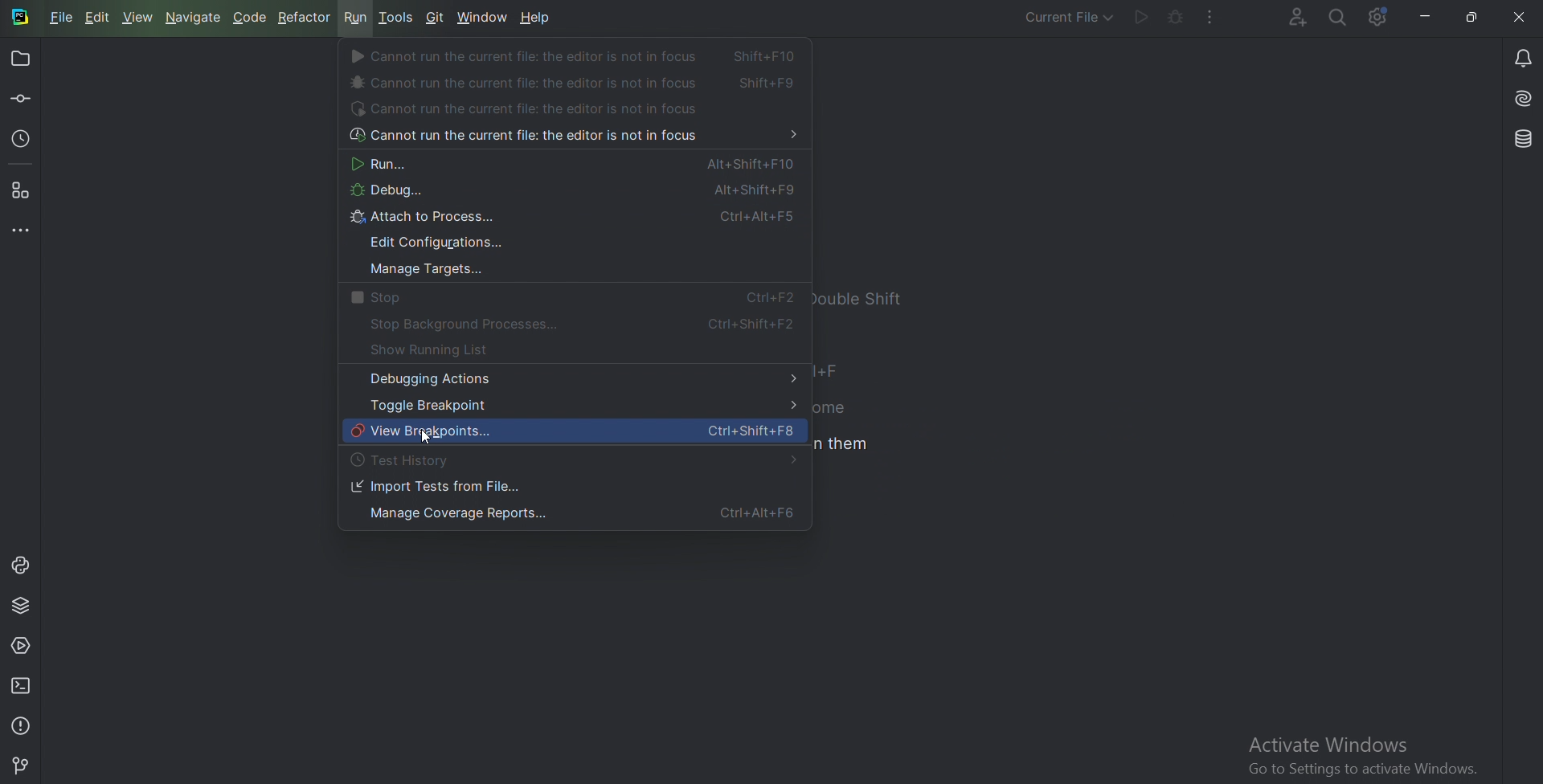 This screenshot has width=1543, height=784. What do you see at coordinates (1361, 757) in the screenshot?
I see `Windows information` at bounding box center [1361, 757].